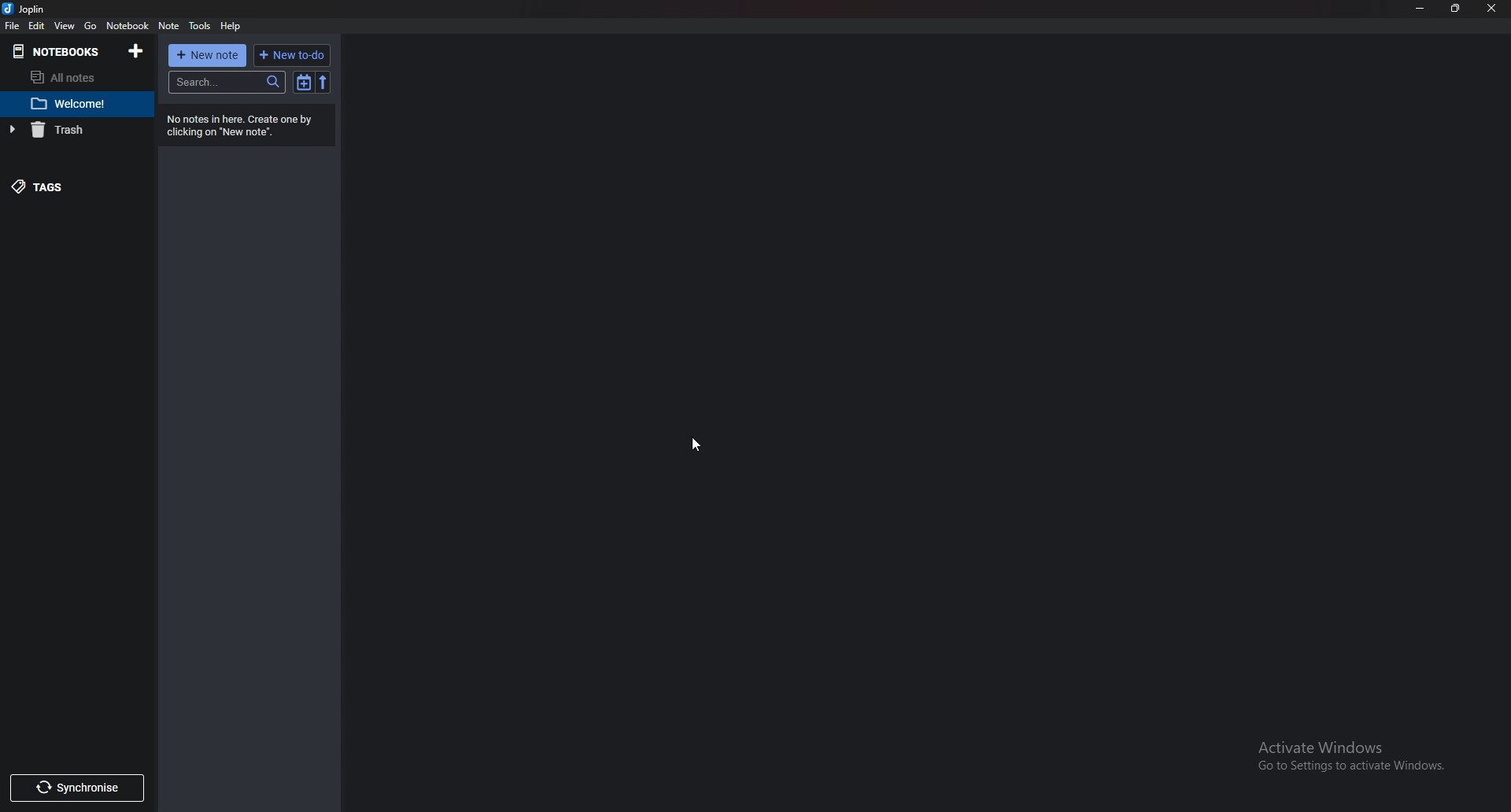 The image size is (1511, 812). Describe the element at coordinates (66, 188) in the screenshot. I see `tags` at that location.